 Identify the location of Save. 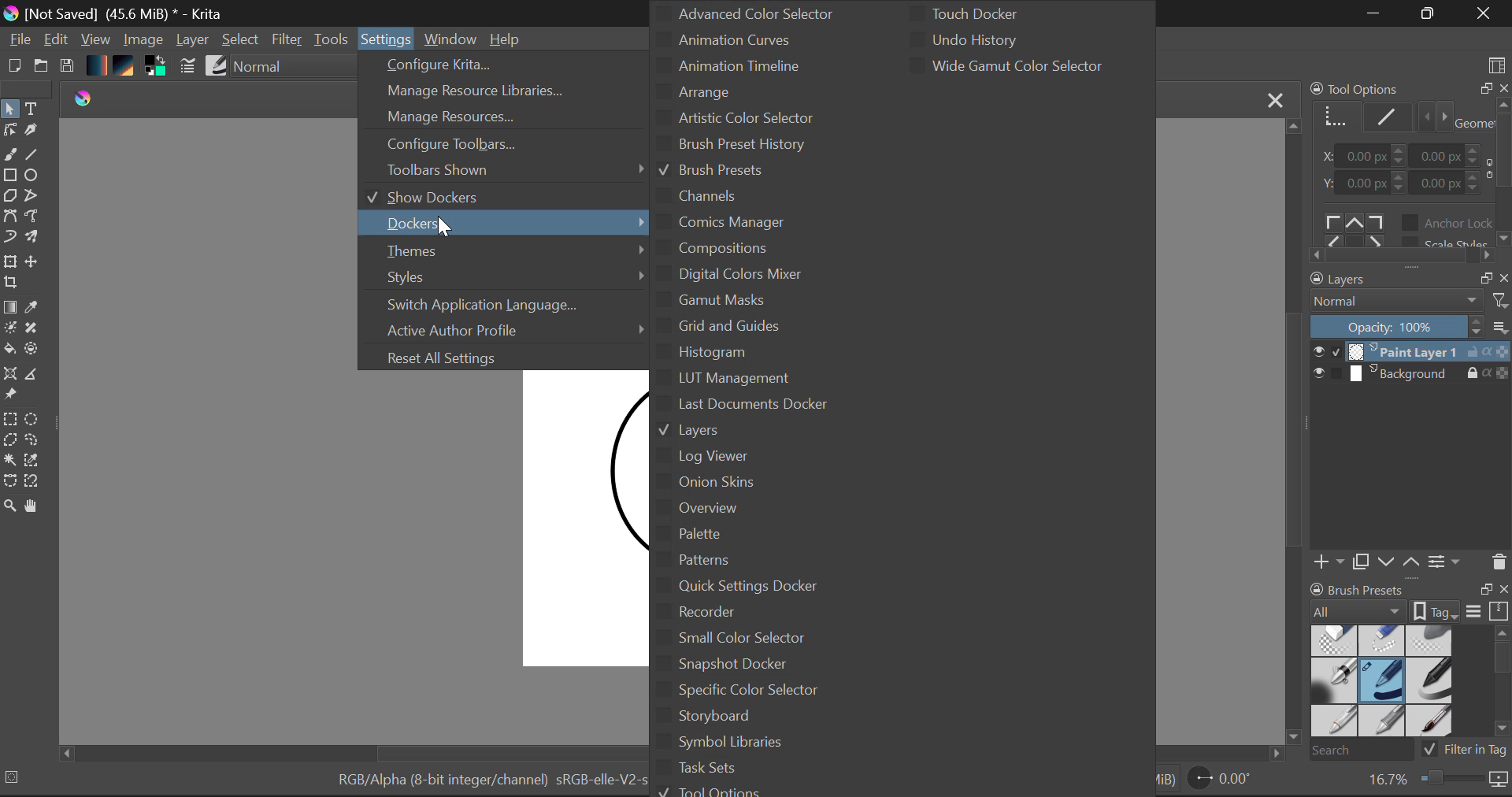
(68, 67).